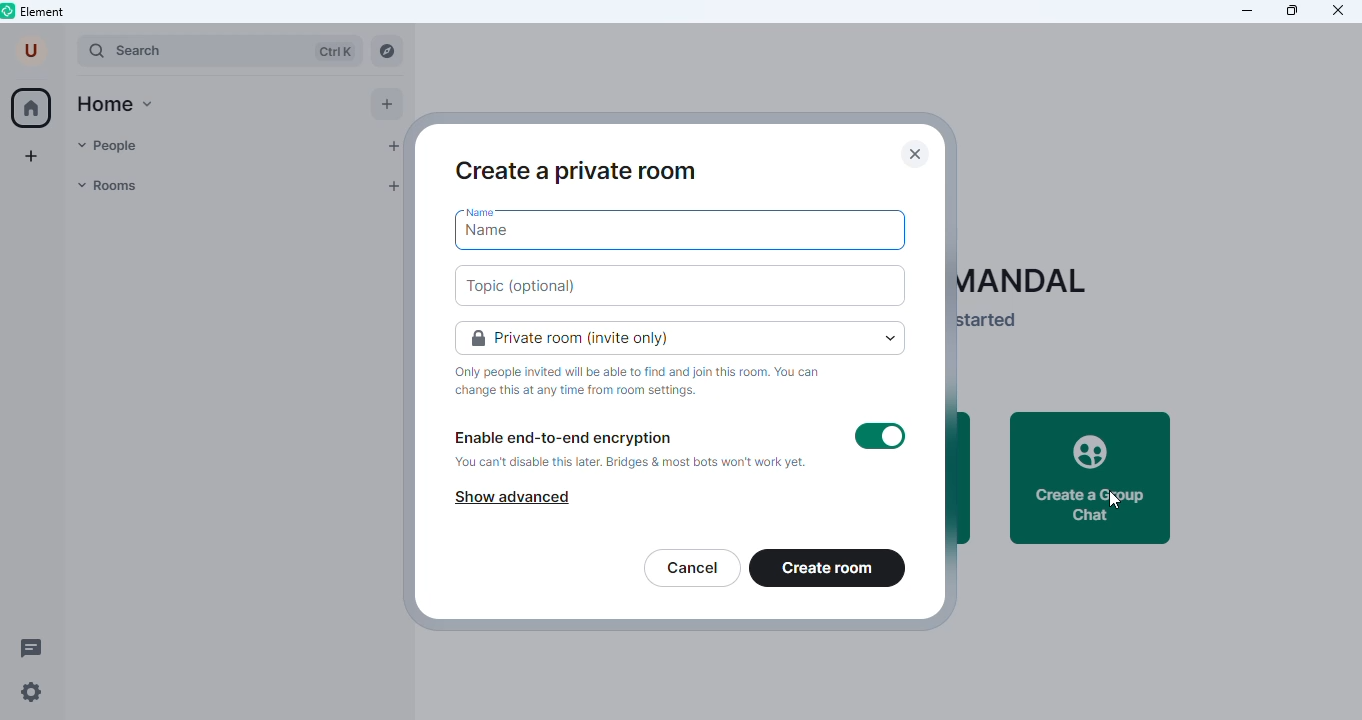  Describe the element at coordinates (32, 52) in the screenshot. I see `account` at that location.